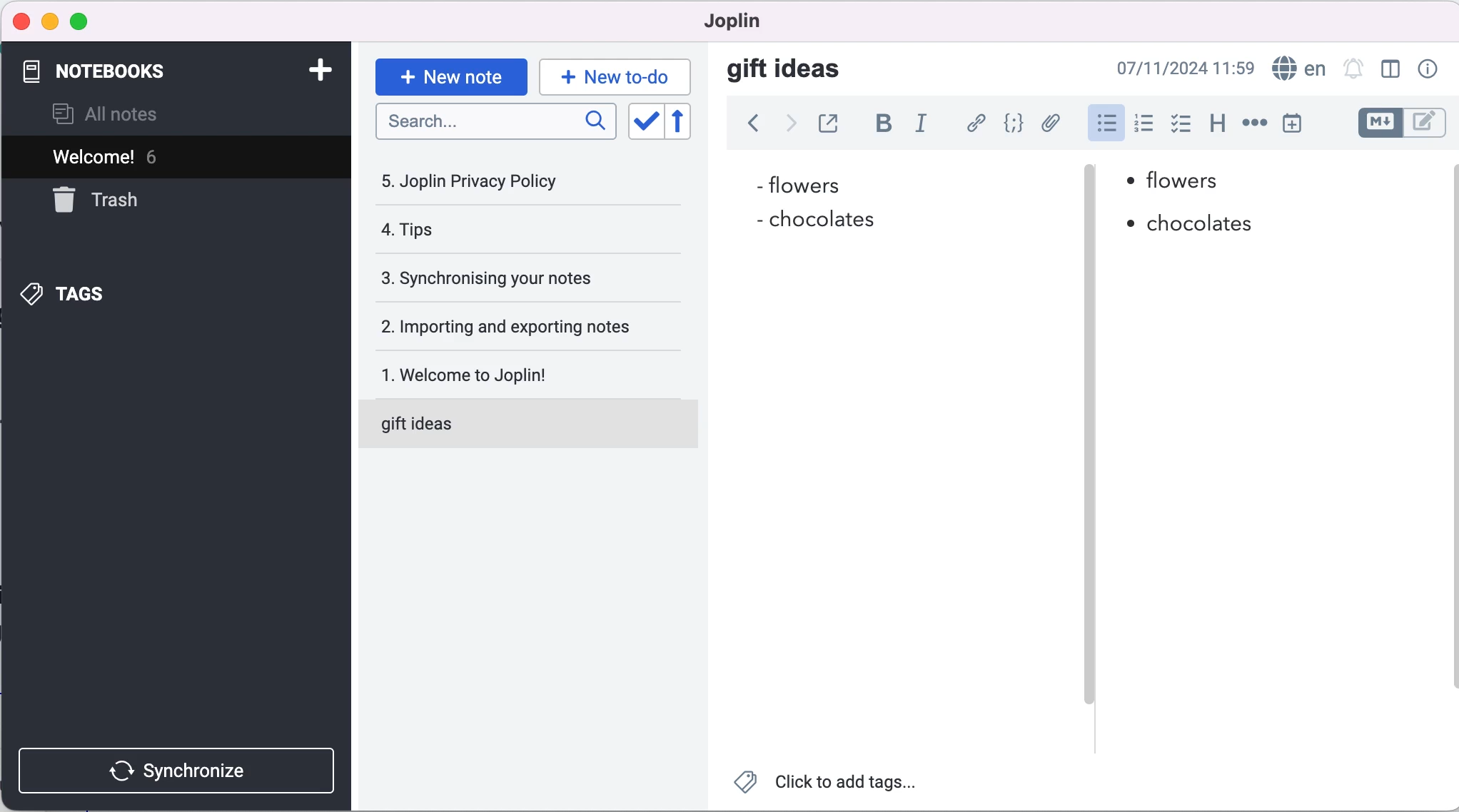 This screenshot has width=1459, height=812. What do you see at coordinates (1183, 123) in the screenshot?
I see `checkbox` at bounding box center [1183, 123].